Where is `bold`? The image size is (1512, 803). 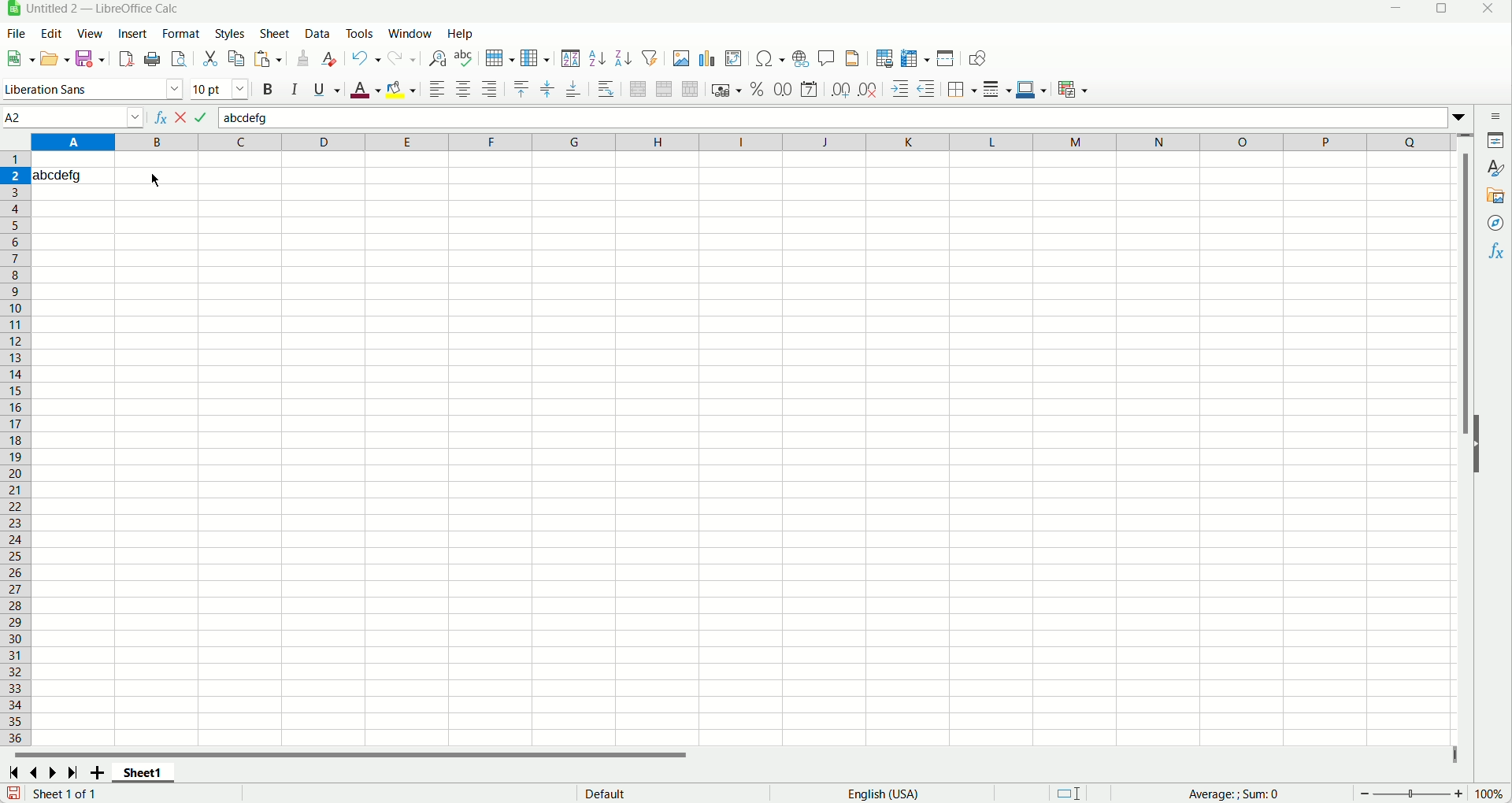
bold is located at coordinates (269, 90).